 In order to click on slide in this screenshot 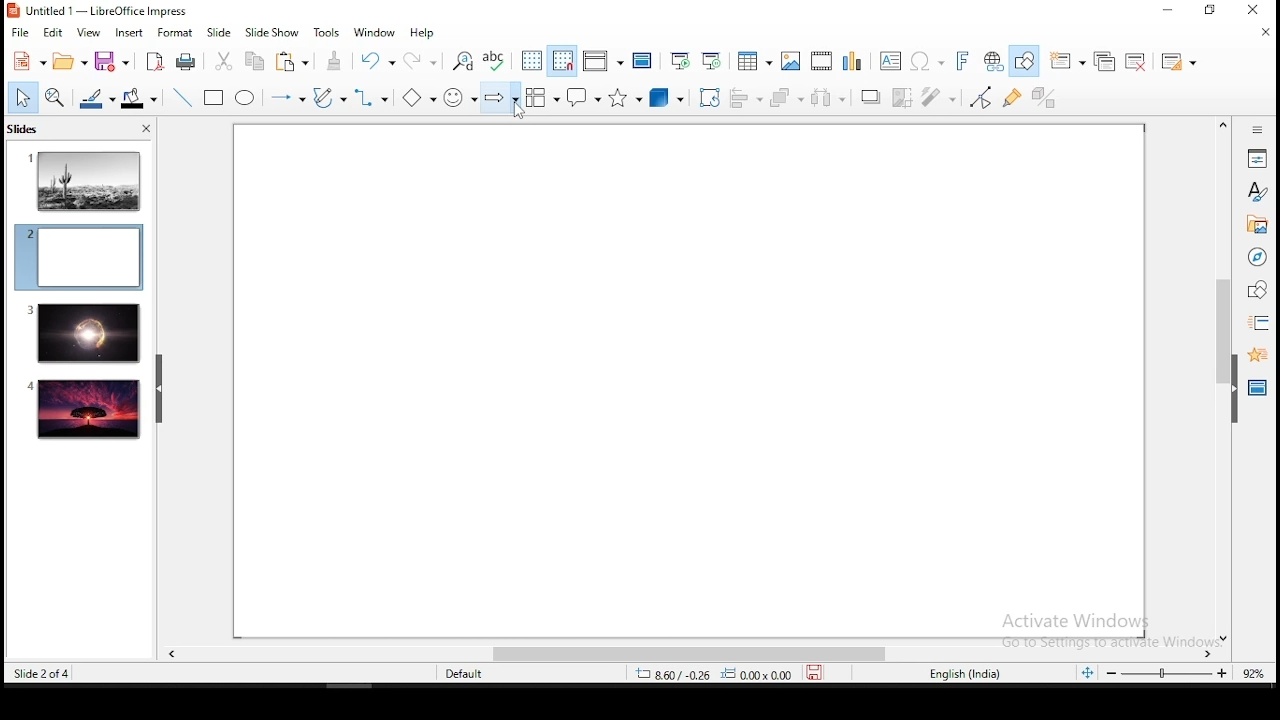, I will do `click(82, 333)`.